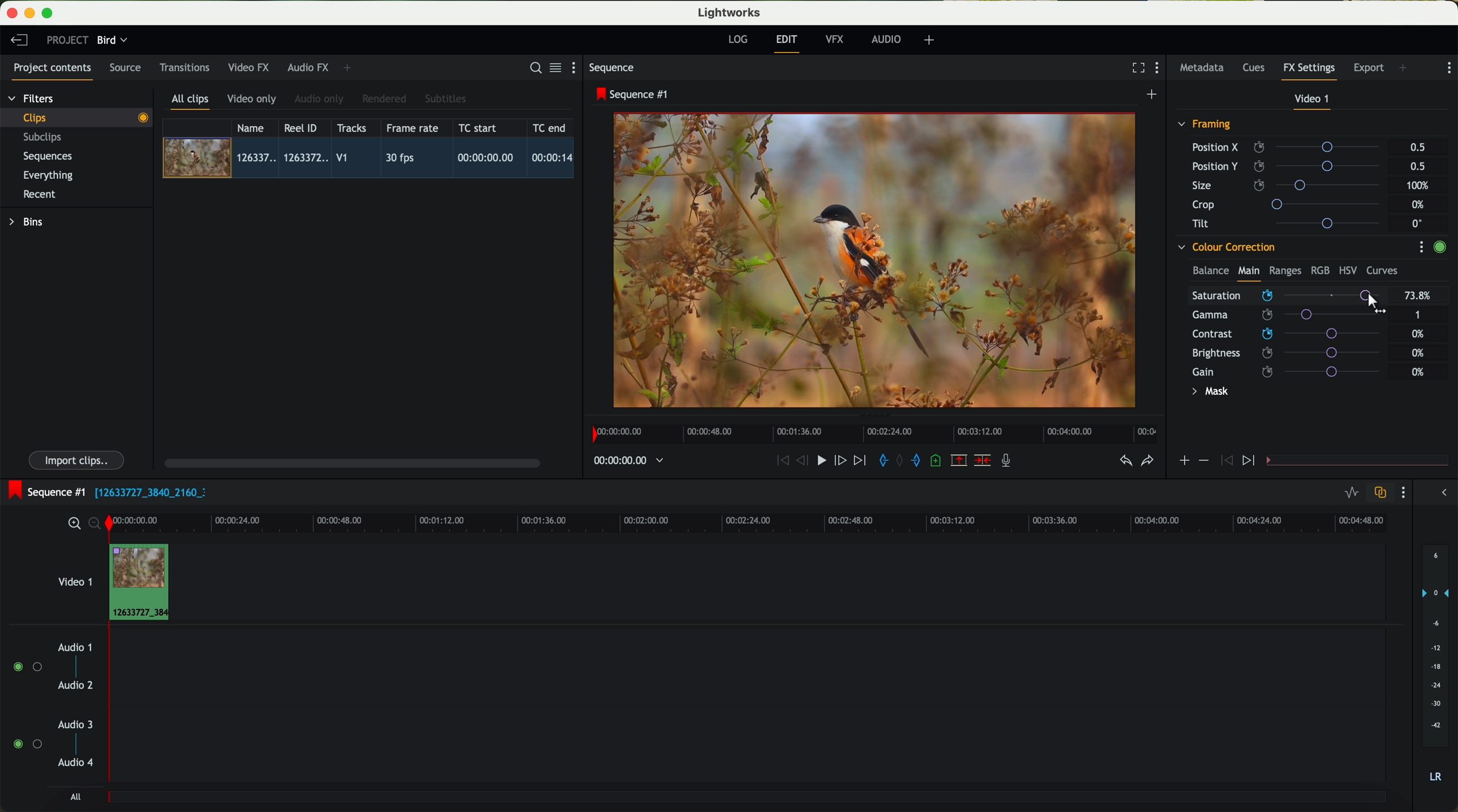 The image size is (1458, 812). I want to click on frame rate, so click(413, 128).